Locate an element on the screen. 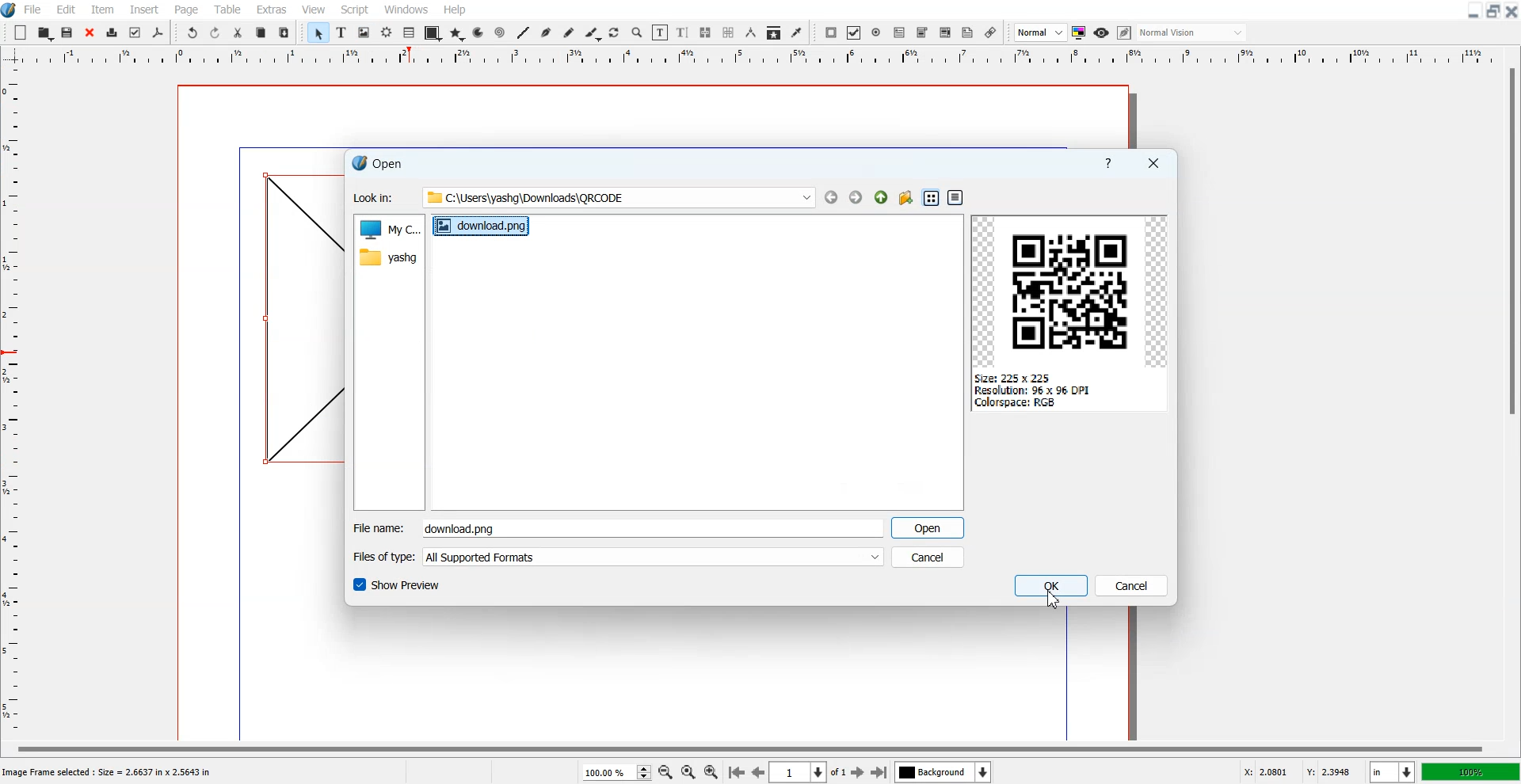  Arc is located at coordinates (479, 32).